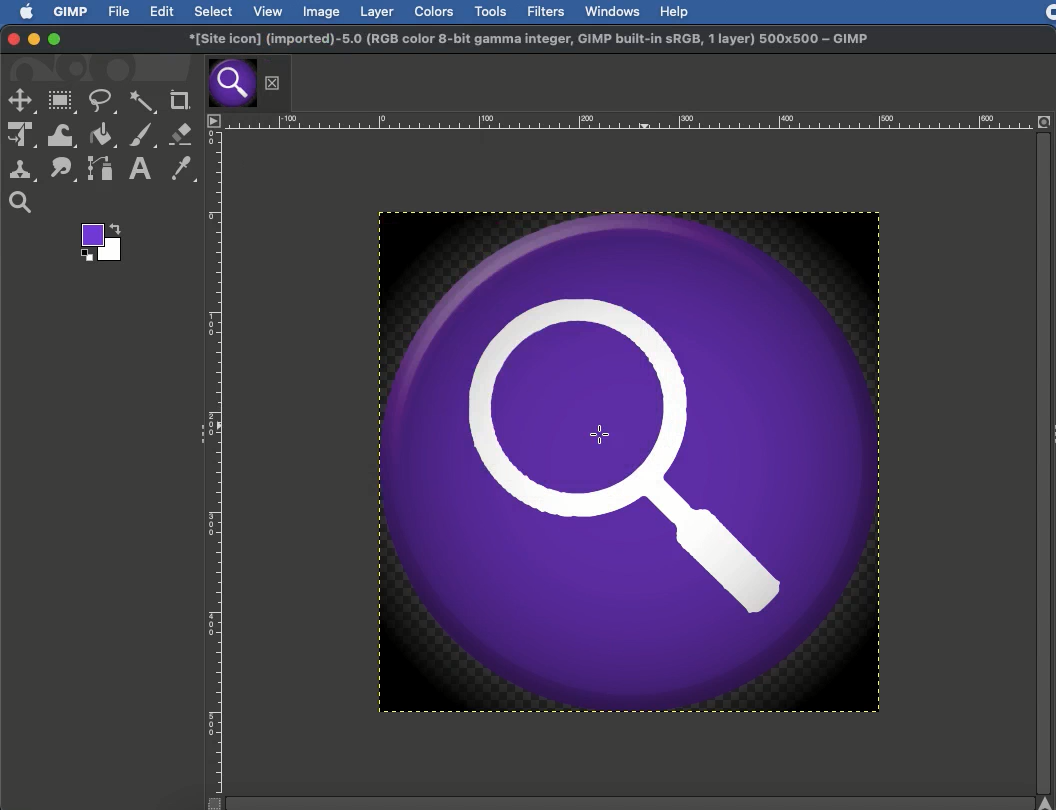 Image resolution: width=1056 pixels, height=810 pixels. What do you see at coordinates (491, 12) in the screenshot?
I see `Tools` at bounding box center [491, 12].